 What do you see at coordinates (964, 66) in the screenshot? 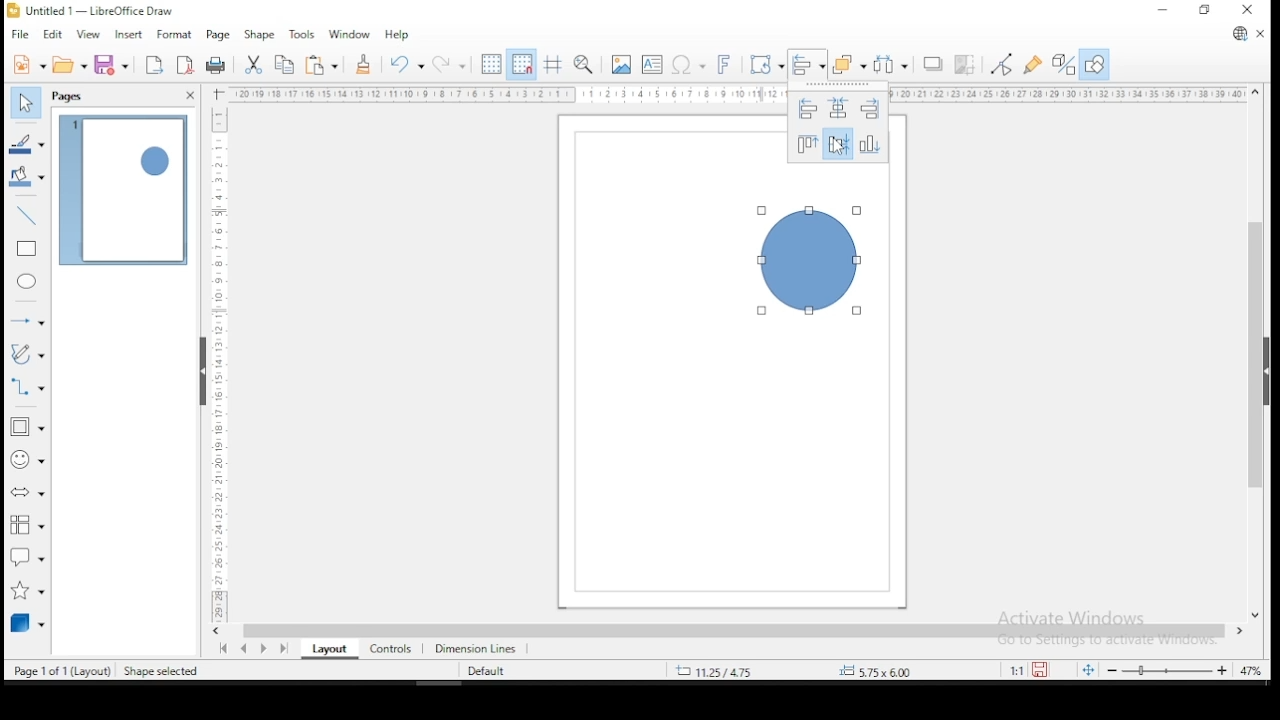
I see `crop` at bounding box center [964, 66].